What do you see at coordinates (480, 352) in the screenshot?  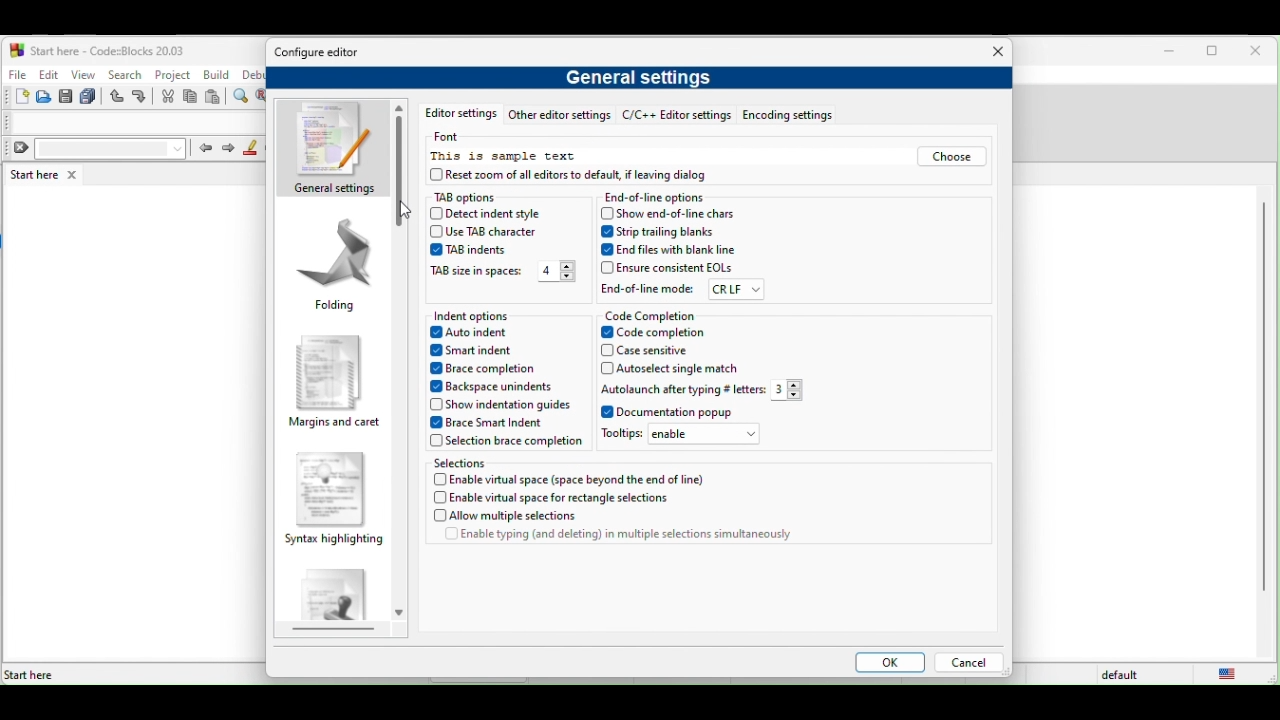 I see `smart indent` at bounding box center [480, 352].